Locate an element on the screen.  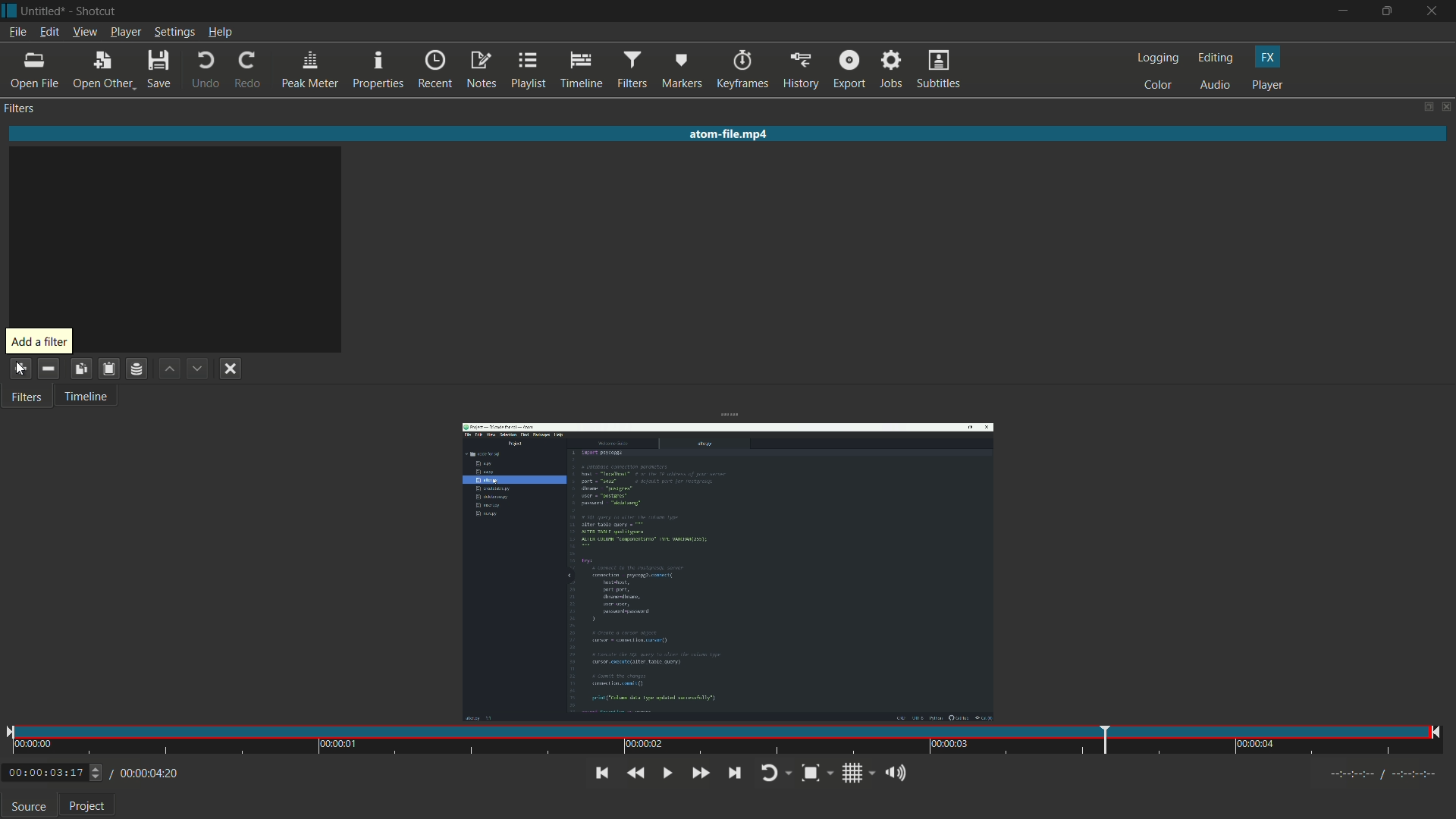
quickly play backward is located at coordinates (638, 773).